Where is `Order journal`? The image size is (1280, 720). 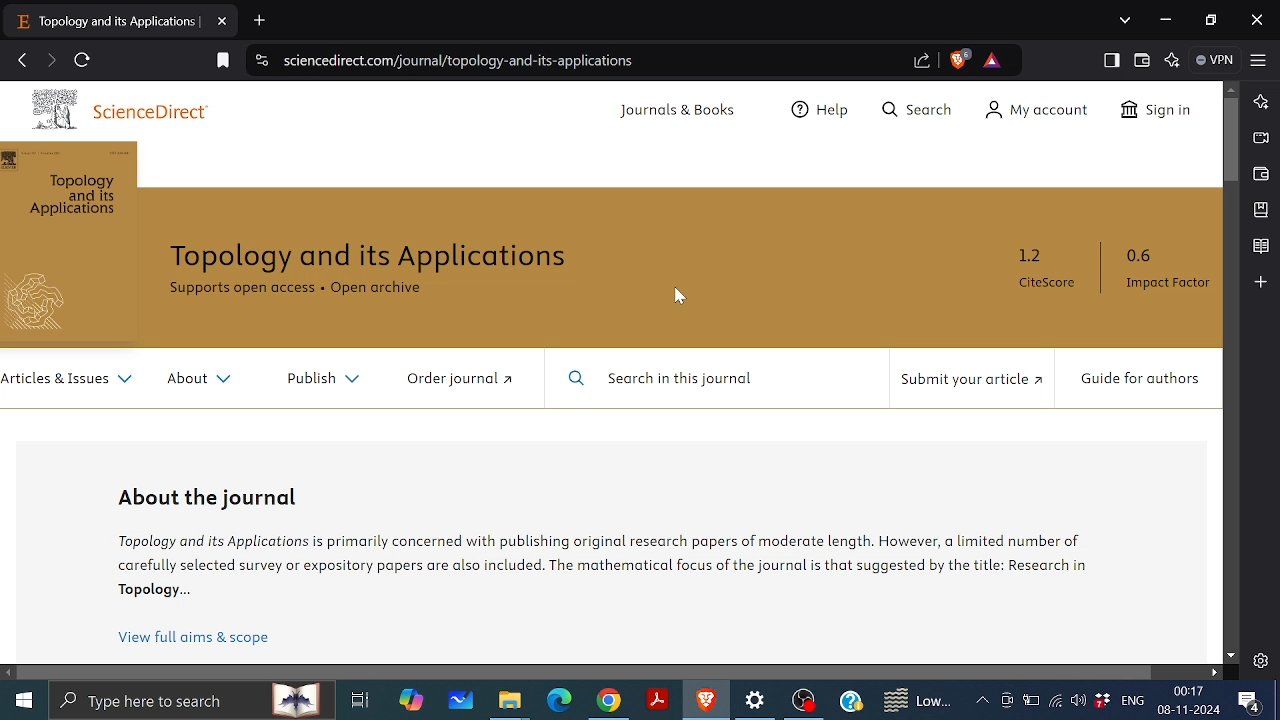 Order journal is located at coordinates (461, 380).